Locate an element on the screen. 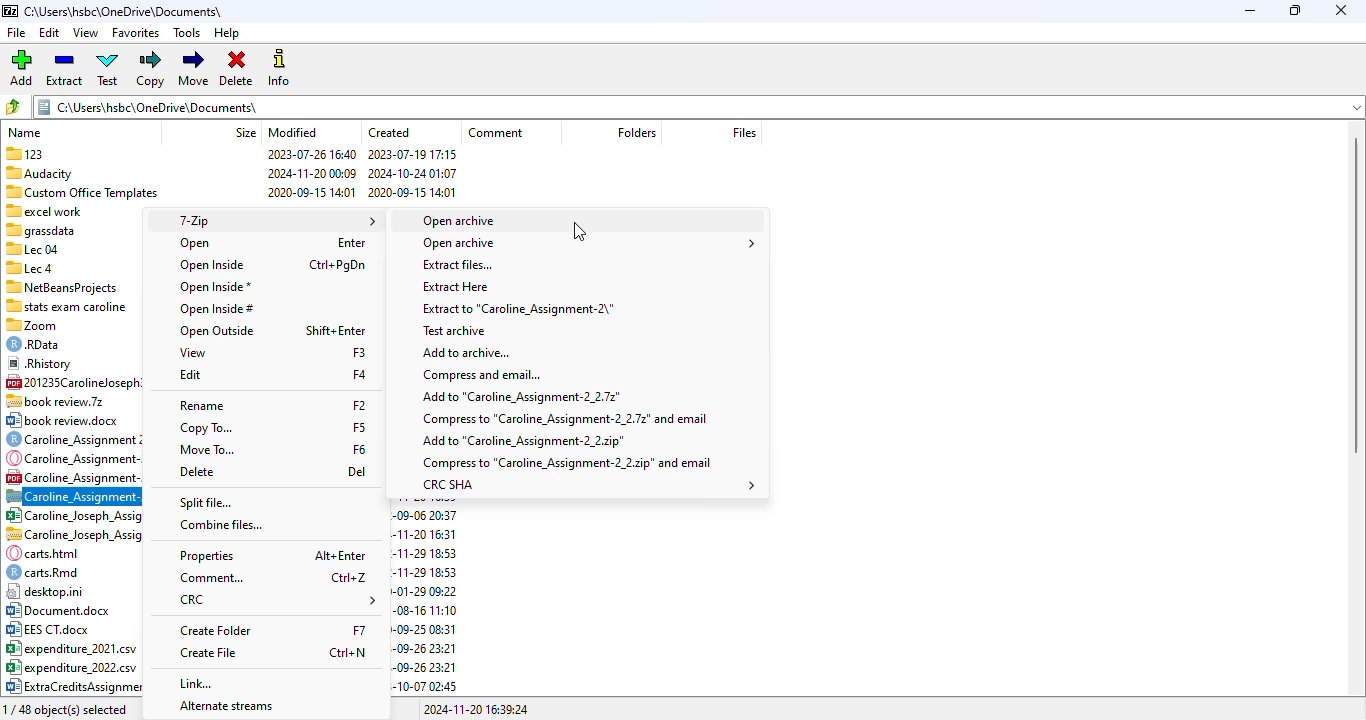 This screenshot has width=1366, height=720. open inside* is located at coordinates (216, 288).